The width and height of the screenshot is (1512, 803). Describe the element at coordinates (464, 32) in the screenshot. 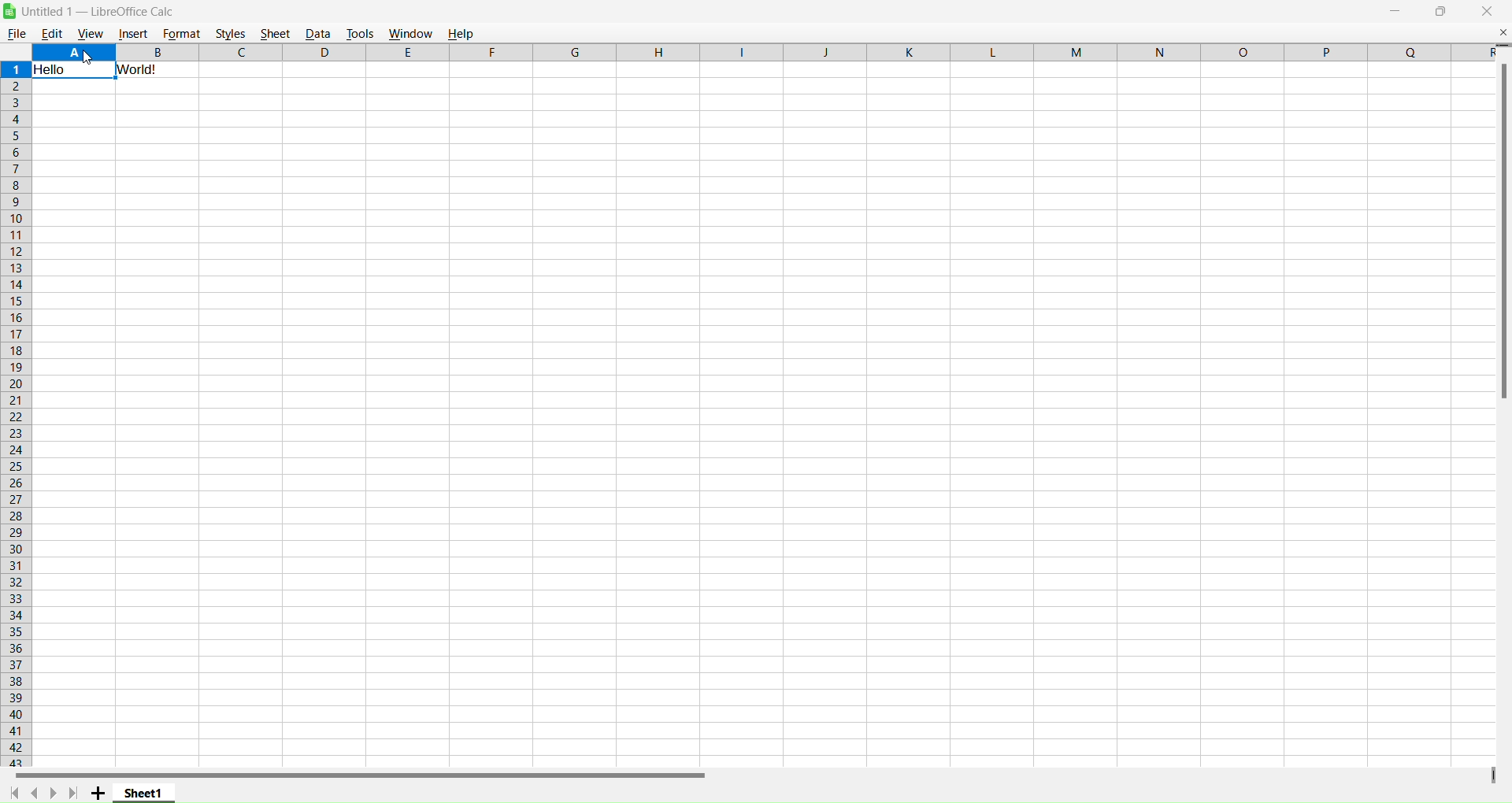

I see `help` at that location.